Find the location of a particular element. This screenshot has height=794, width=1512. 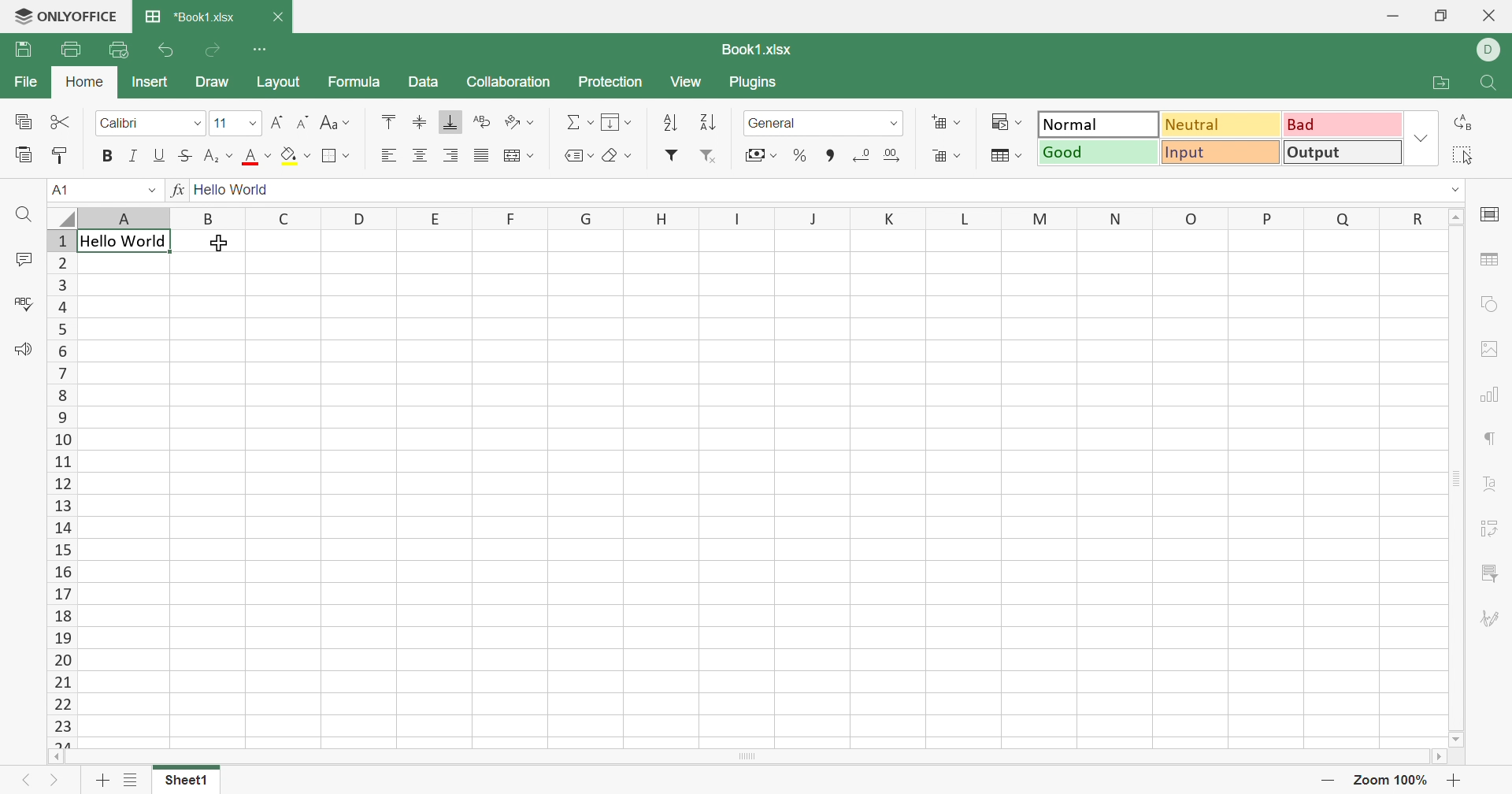

Bold is located at coordinates (108, 155).